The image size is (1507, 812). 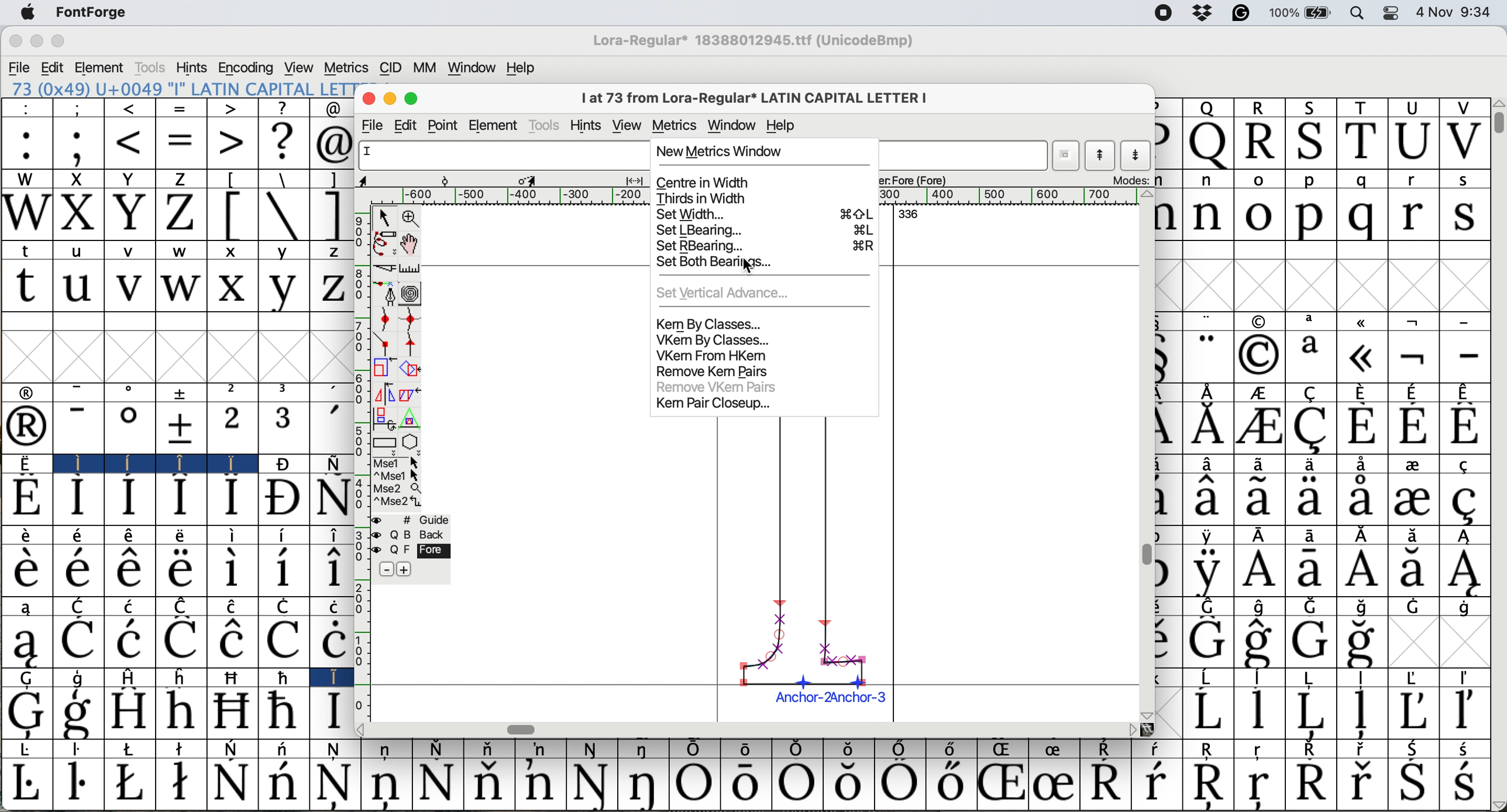 I want to click on Symbol, so click(x=182, y=536).